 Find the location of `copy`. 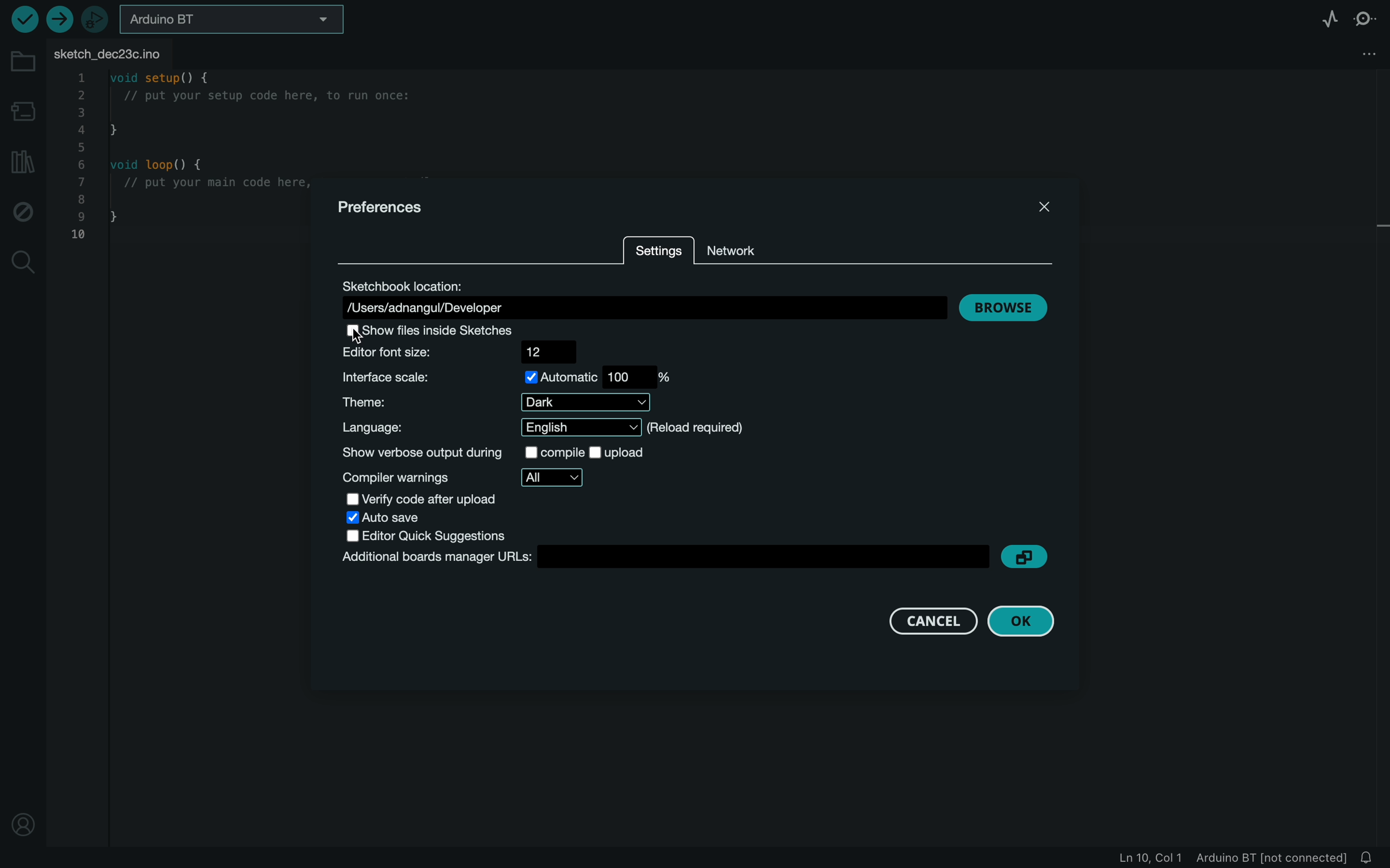

copy is located at coordinates (1027, 557).